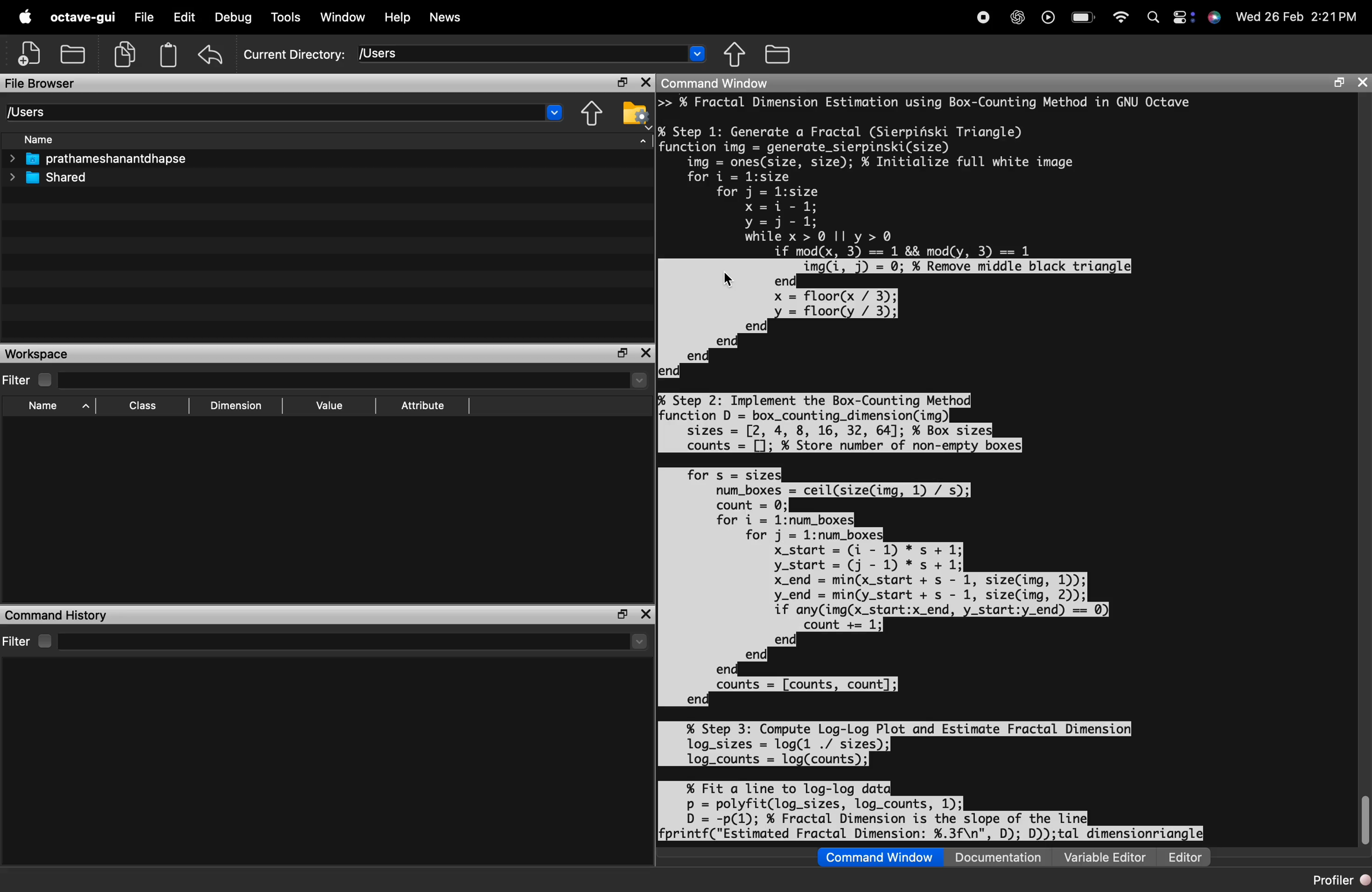 Image resolution: width=1372 pixels, height=892 pixels. Describe the element at coordinates (31, 54) in the screenshot. I see `add` at that location.